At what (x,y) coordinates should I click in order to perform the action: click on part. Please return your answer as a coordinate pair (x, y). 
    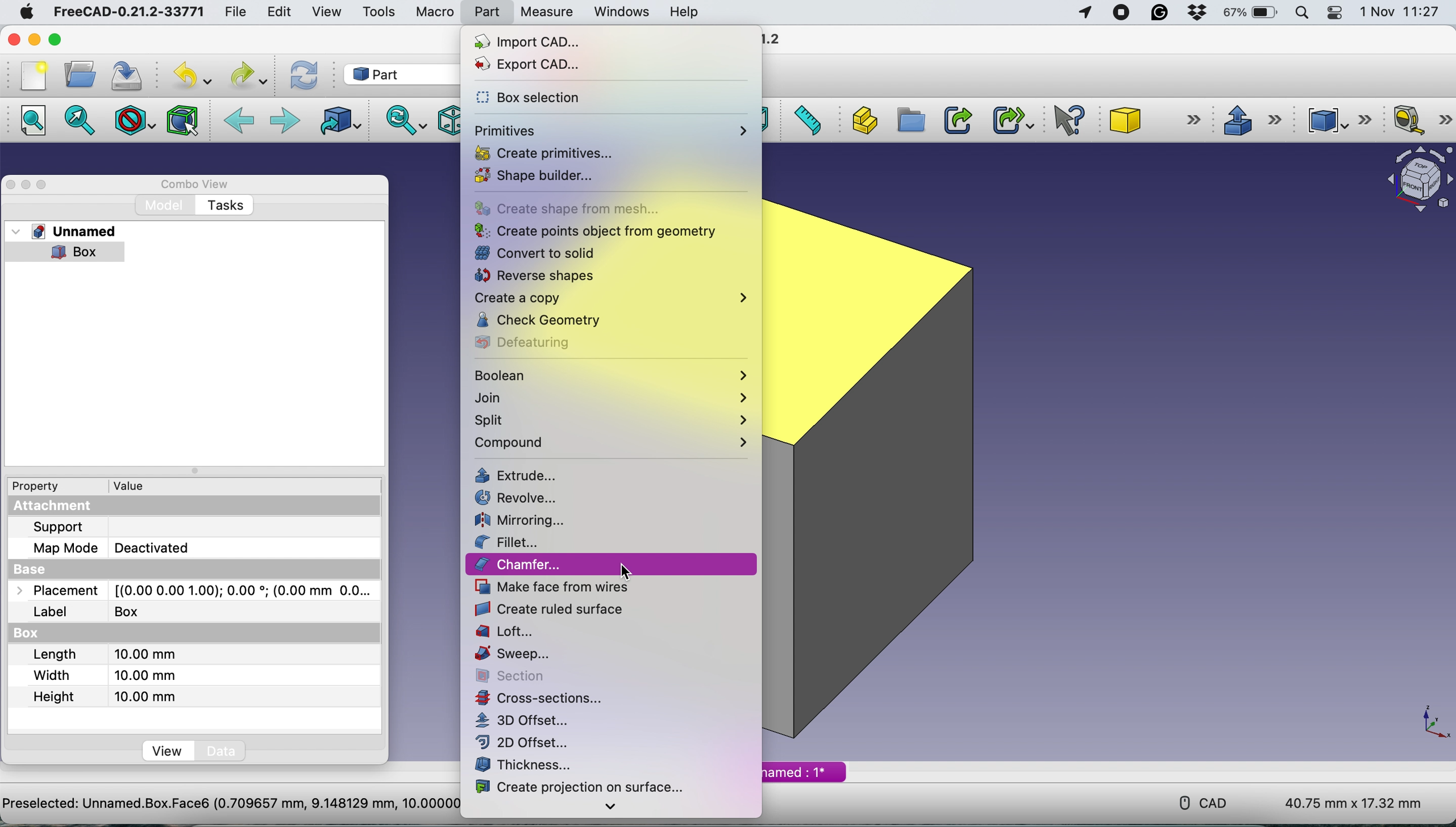
    Looking at the image, I should click on (490, 11).